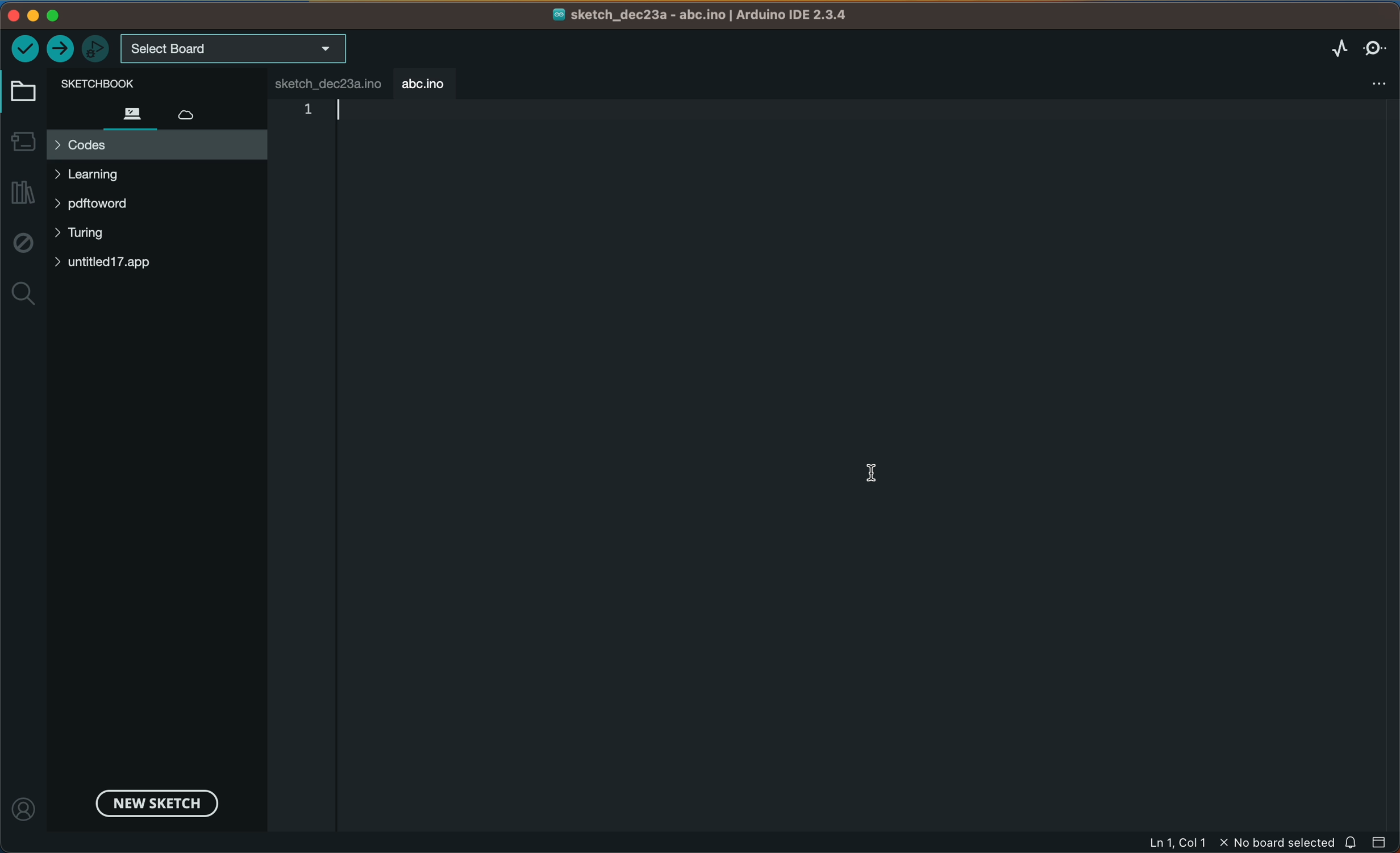 The width and height of the screenshot is (1400, 853). I want to click on profile, so click(26, 803).